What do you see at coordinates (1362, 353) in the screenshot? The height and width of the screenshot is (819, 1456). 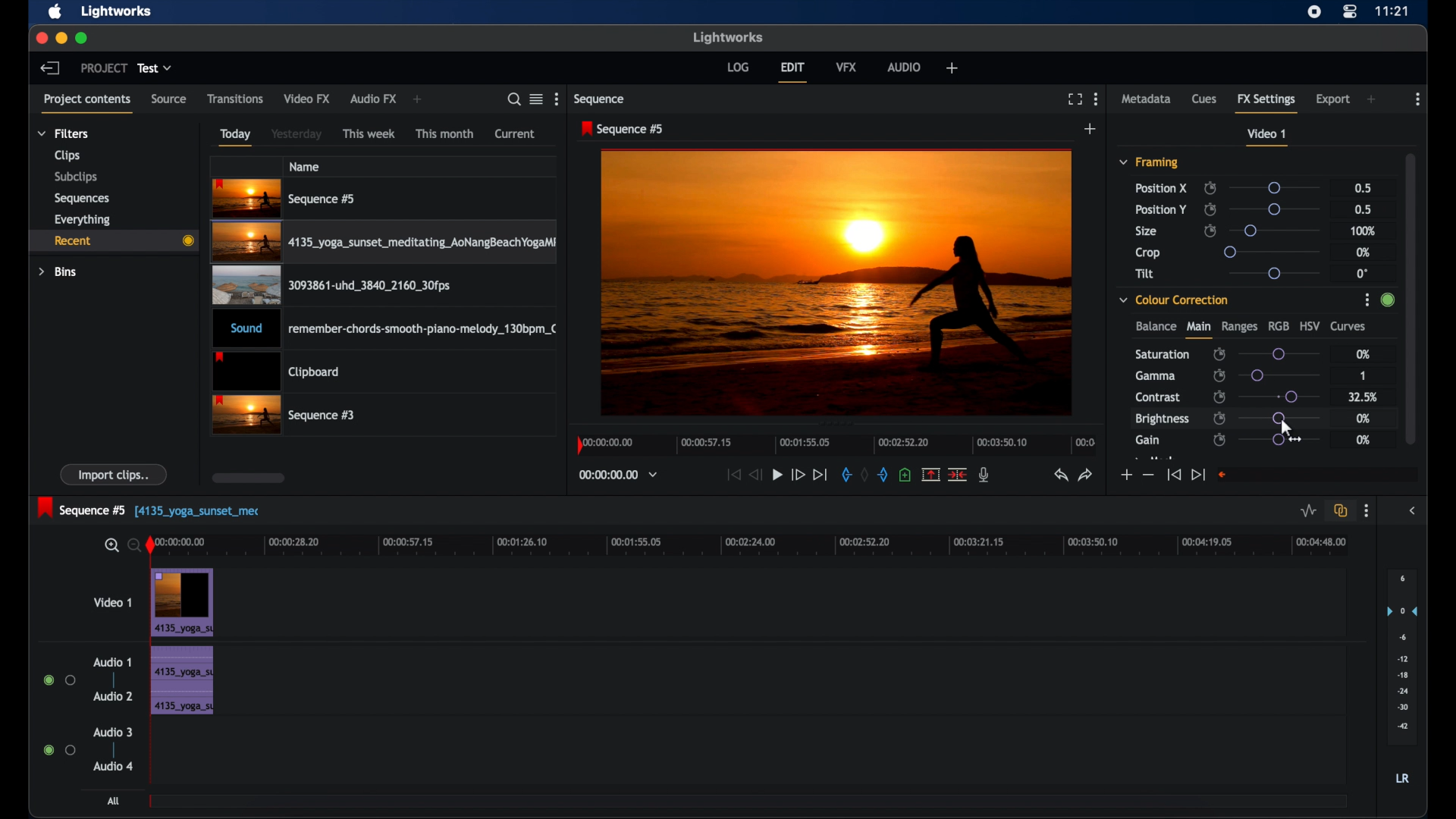 I see `0%` at bounding box center [1362, 353].